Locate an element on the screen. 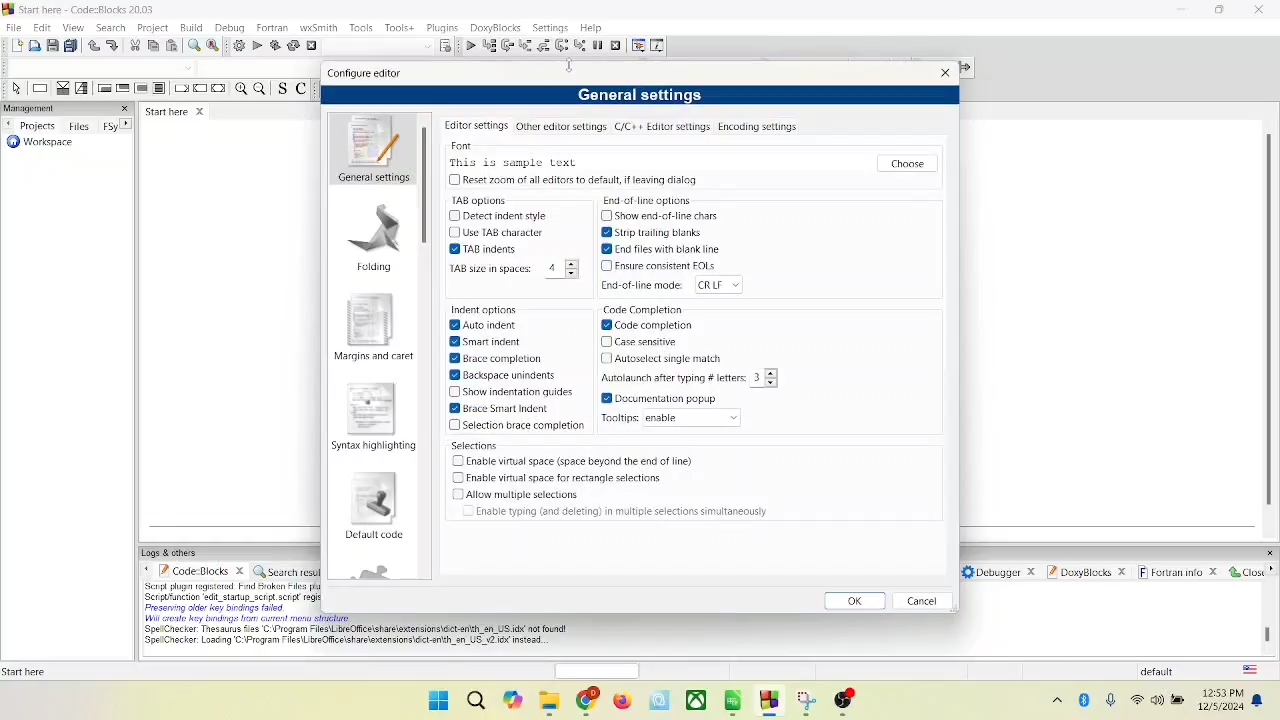 The width and height of the screenshot is (1280, 720). auto indent is located at coordinates (485, 325).